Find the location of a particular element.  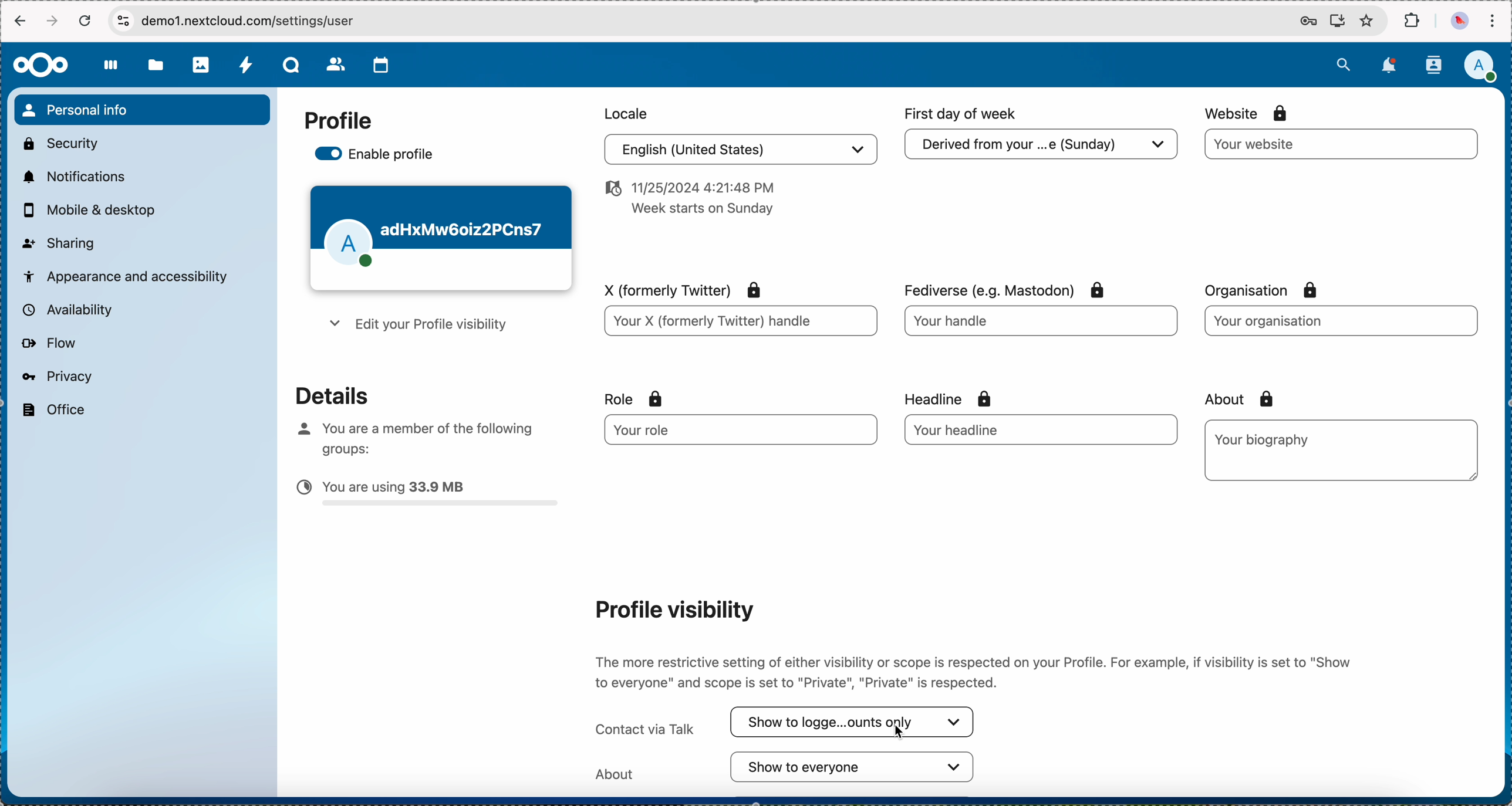

activity is located at coordinates (247, 66).